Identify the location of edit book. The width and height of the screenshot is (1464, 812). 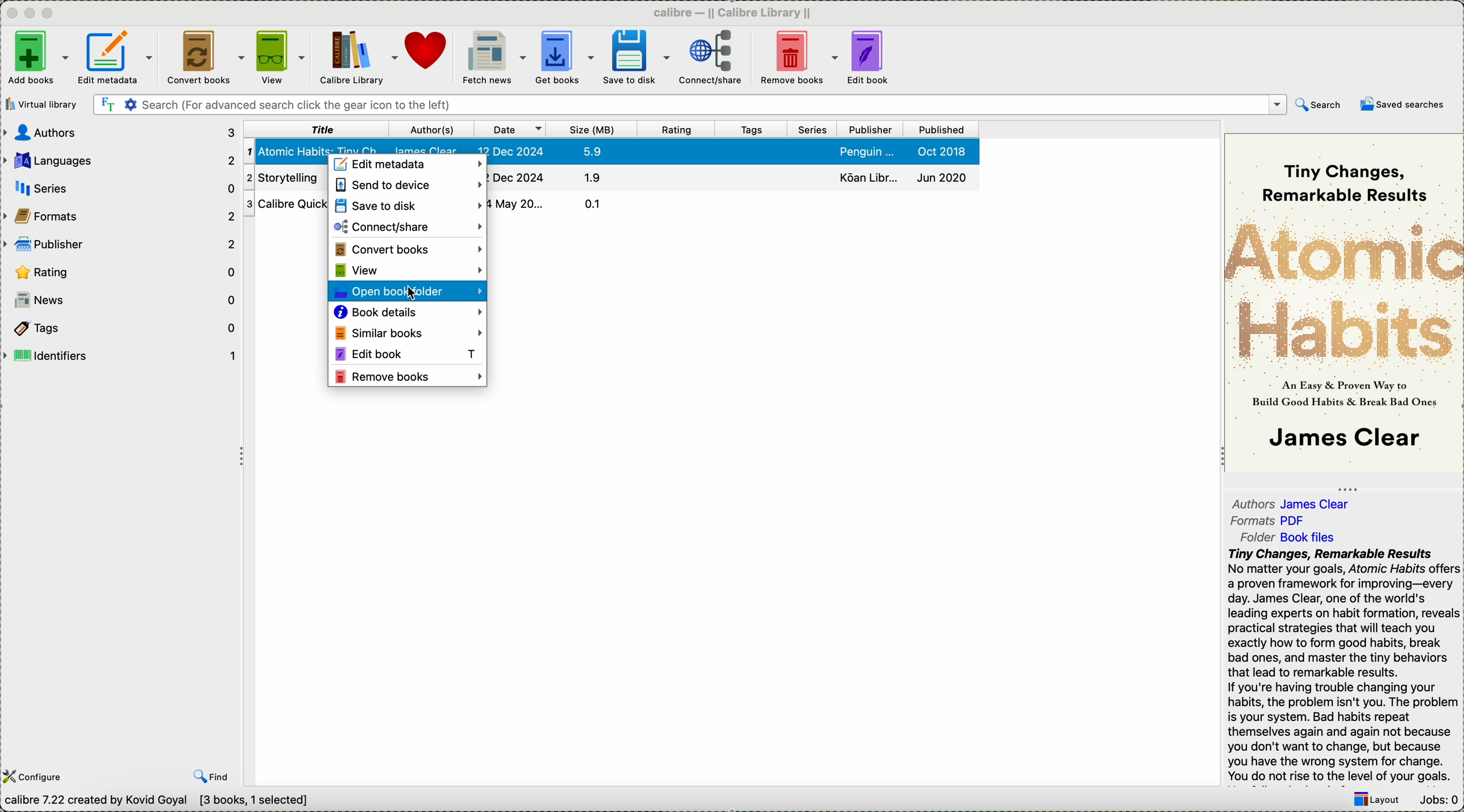
(405, 353).